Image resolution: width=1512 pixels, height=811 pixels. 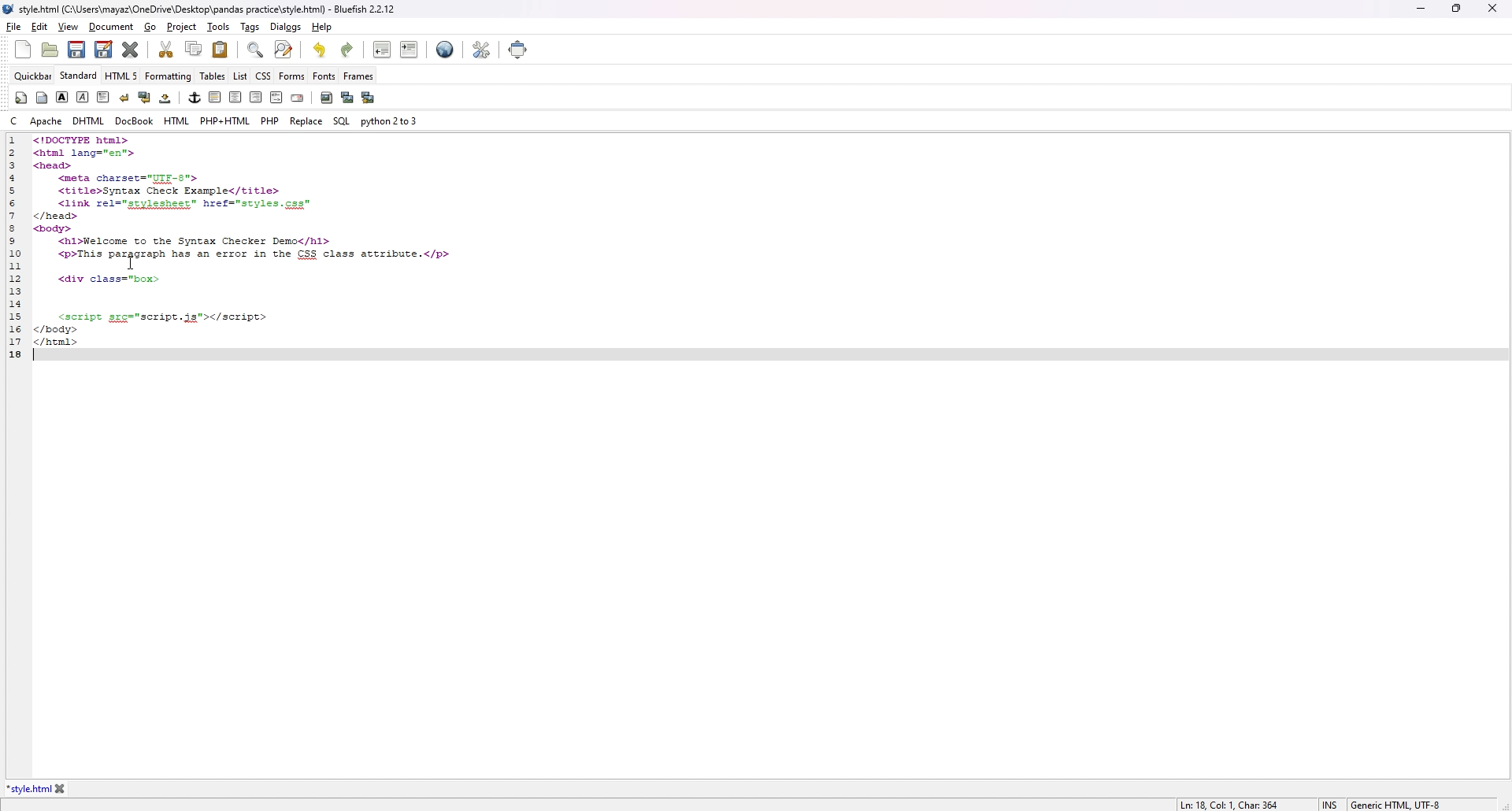 I want to click on paragraph, so click(x=104, y=98).